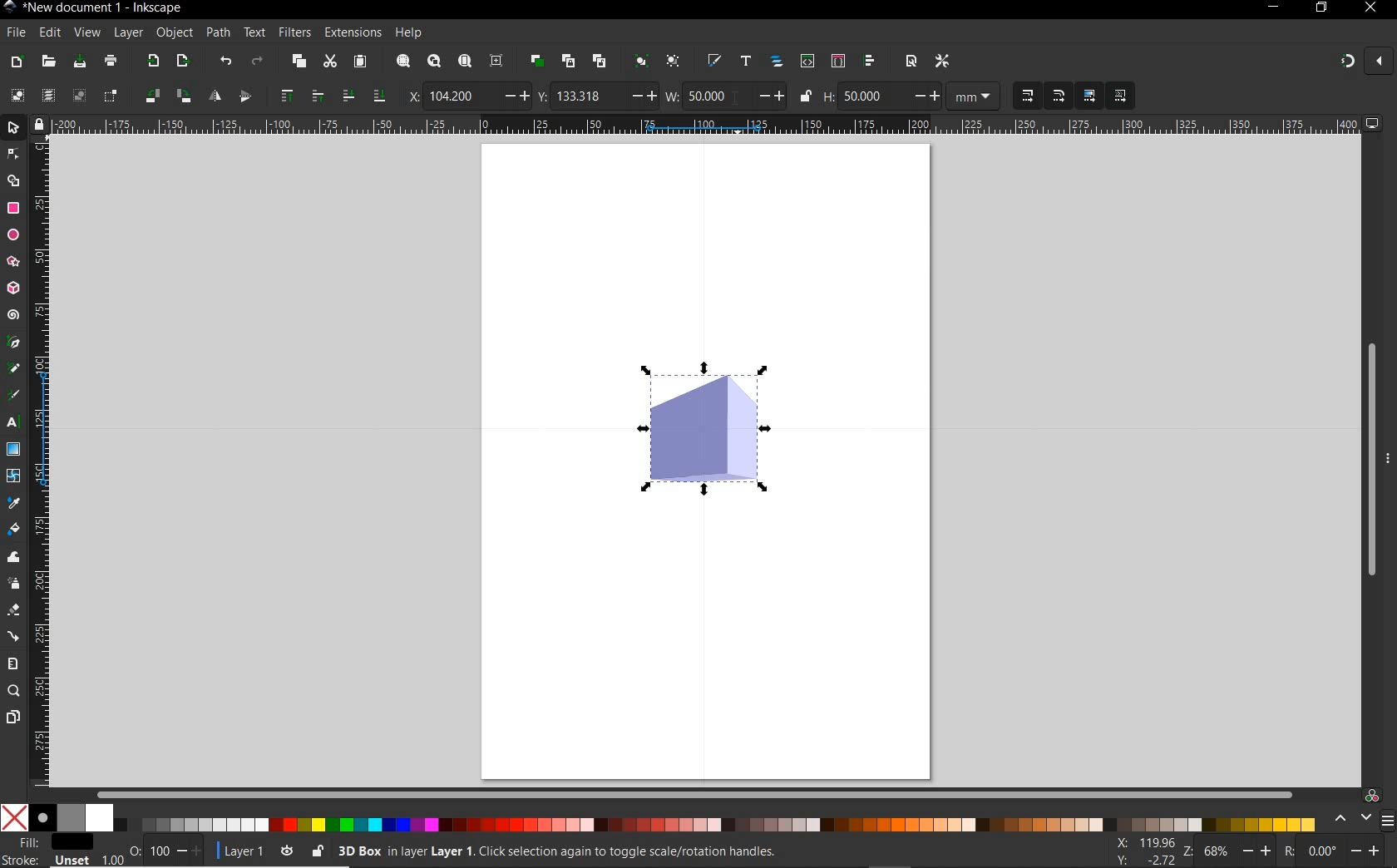  Describe the element at coordinates (15, 583) in the screenshot. I see `spray tool` at that location.